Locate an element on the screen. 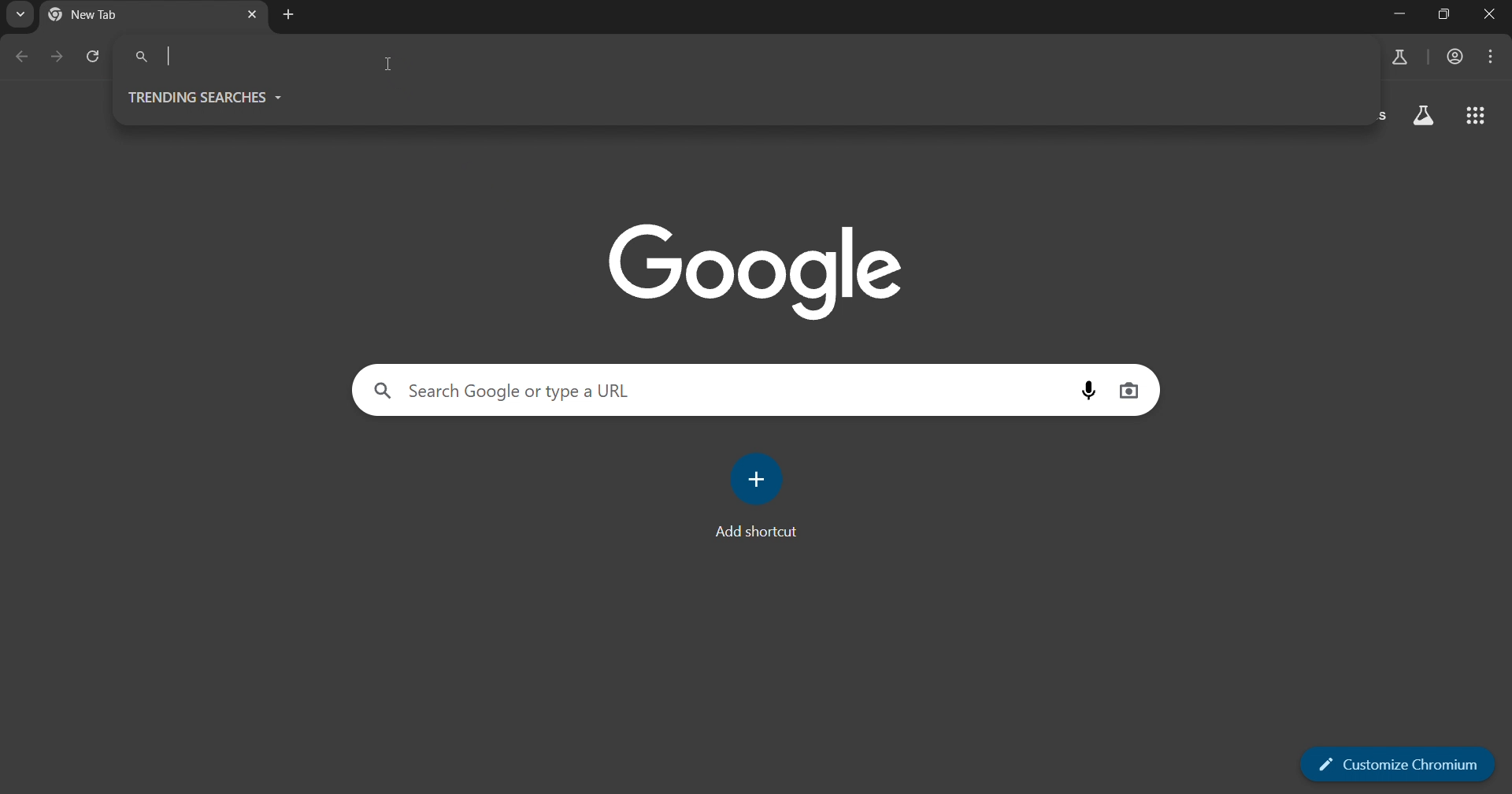  Search Google or type a URL is located at coordinates (508, 389).